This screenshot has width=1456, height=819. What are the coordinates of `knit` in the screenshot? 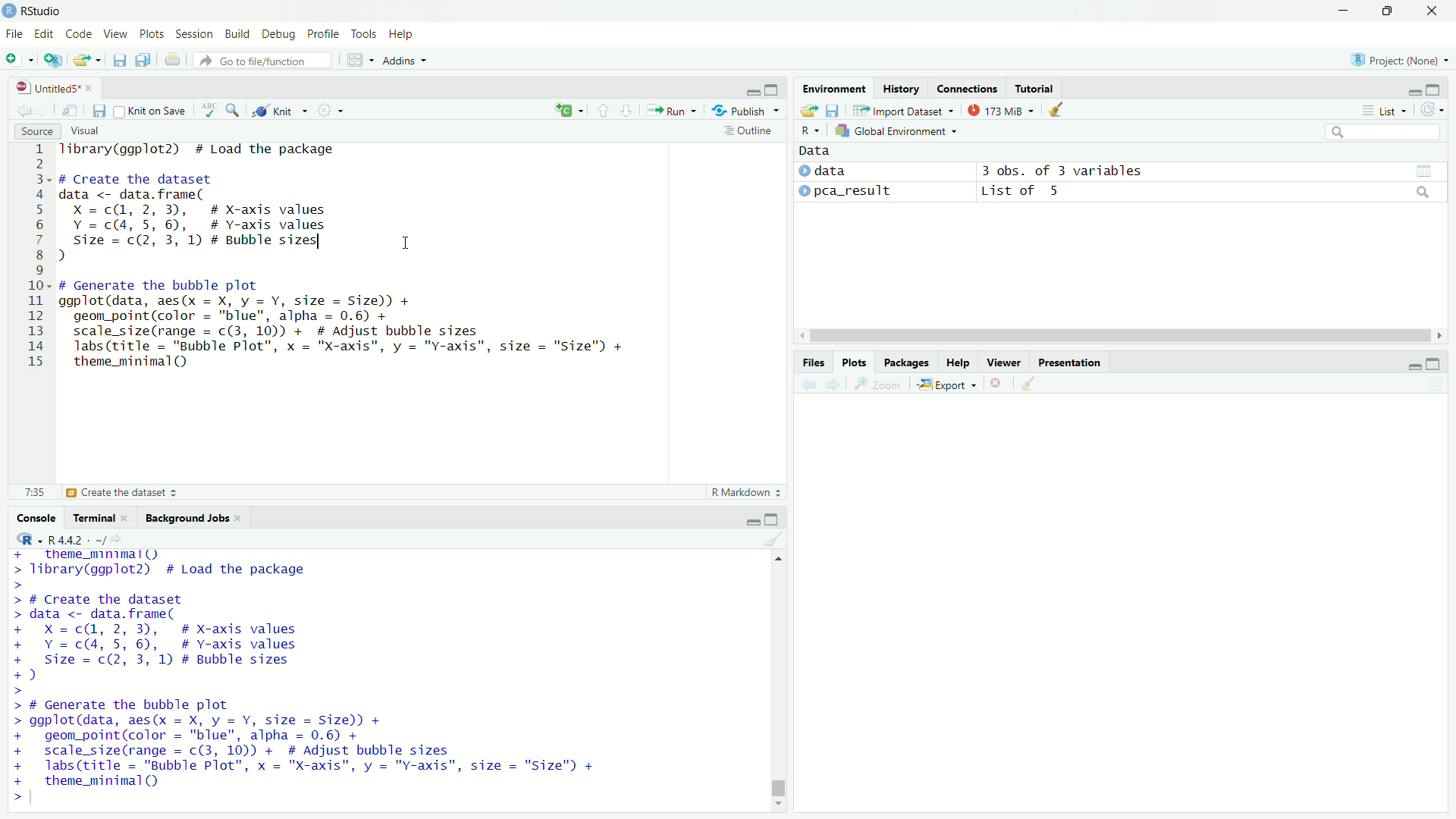 It's located at (281, 109).